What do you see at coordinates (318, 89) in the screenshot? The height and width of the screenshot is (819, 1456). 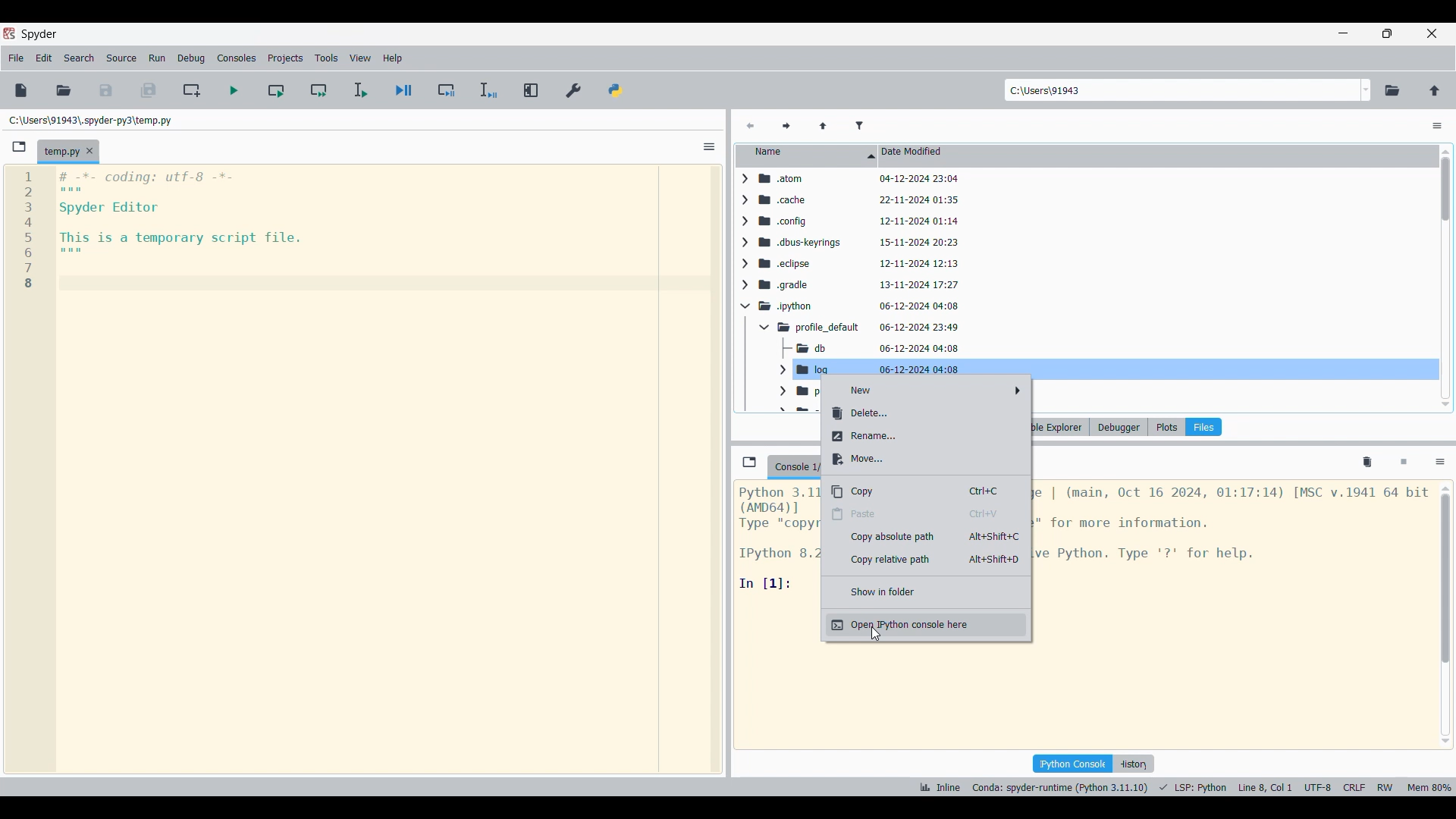 I see `Run current cell and fo to next one` at bounding box center [318, 89].